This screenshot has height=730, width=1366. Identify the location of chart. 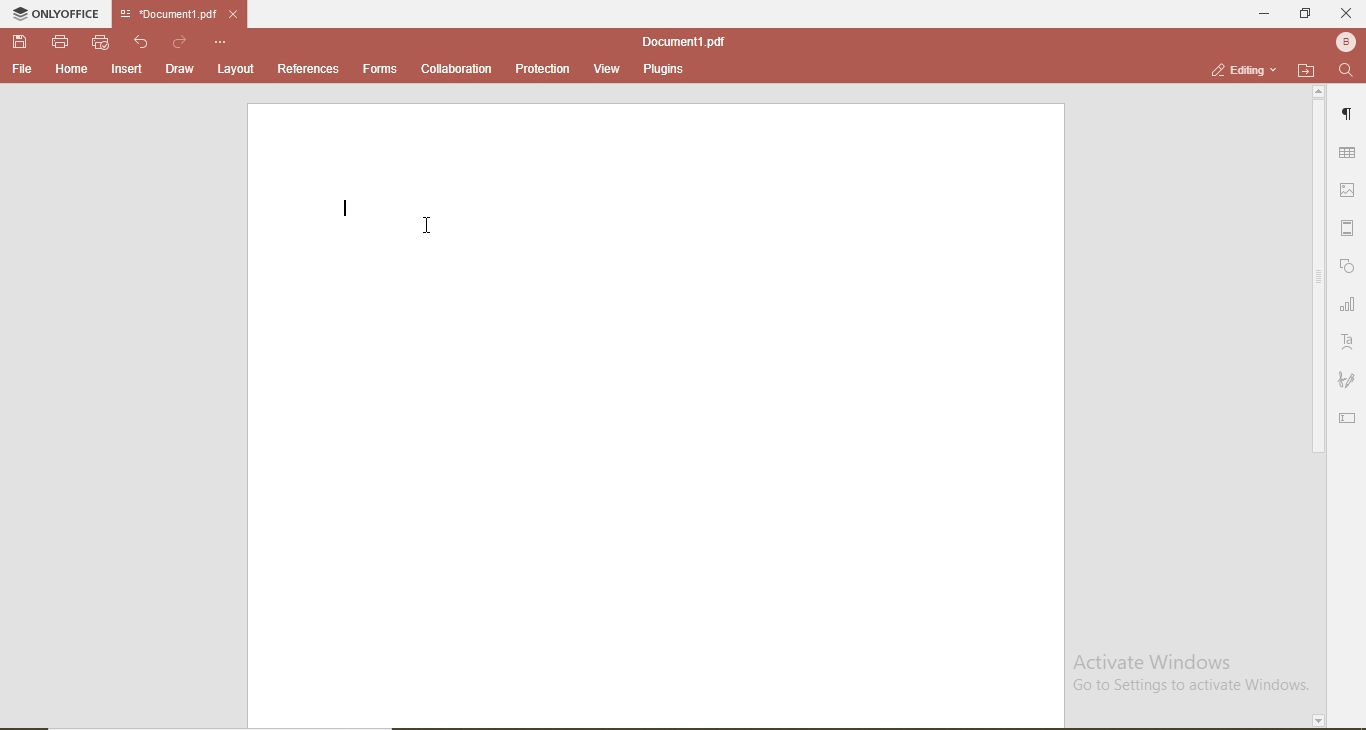
(1348, 304).